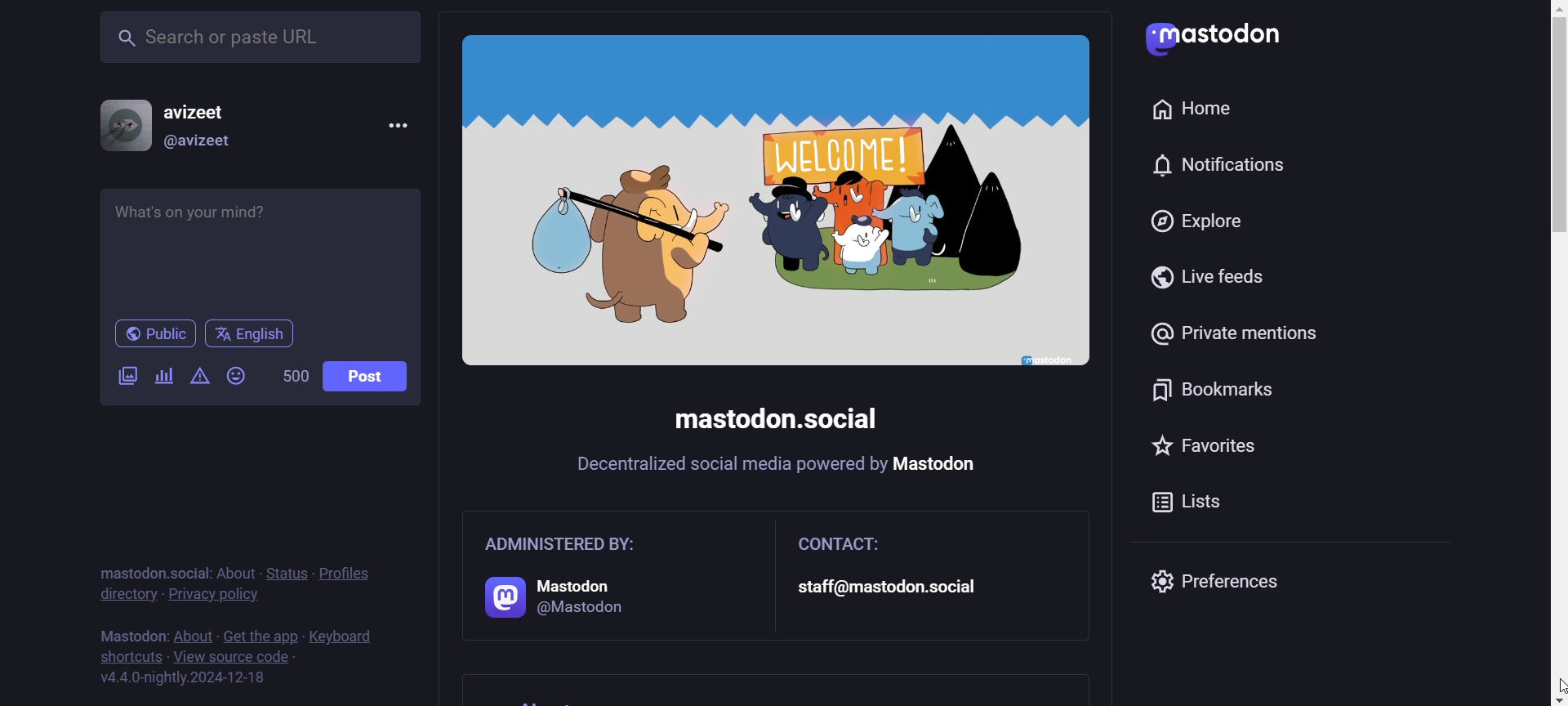  I want to click on mastodon, so click(938, 464).